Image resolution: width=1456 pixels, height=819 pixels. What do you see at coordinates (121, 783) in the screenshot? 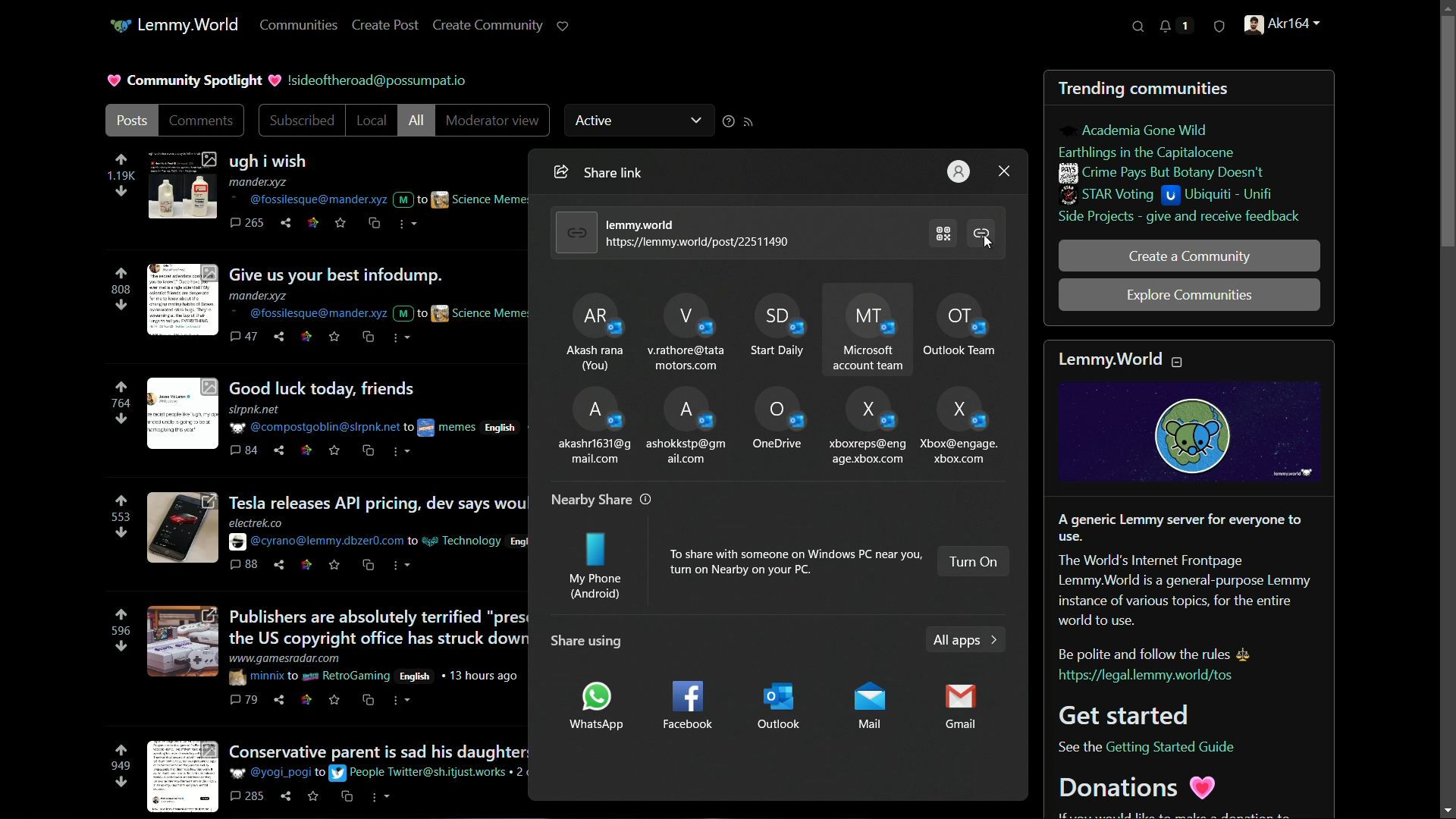
I see `downvote` at bounding box center [121, 783].